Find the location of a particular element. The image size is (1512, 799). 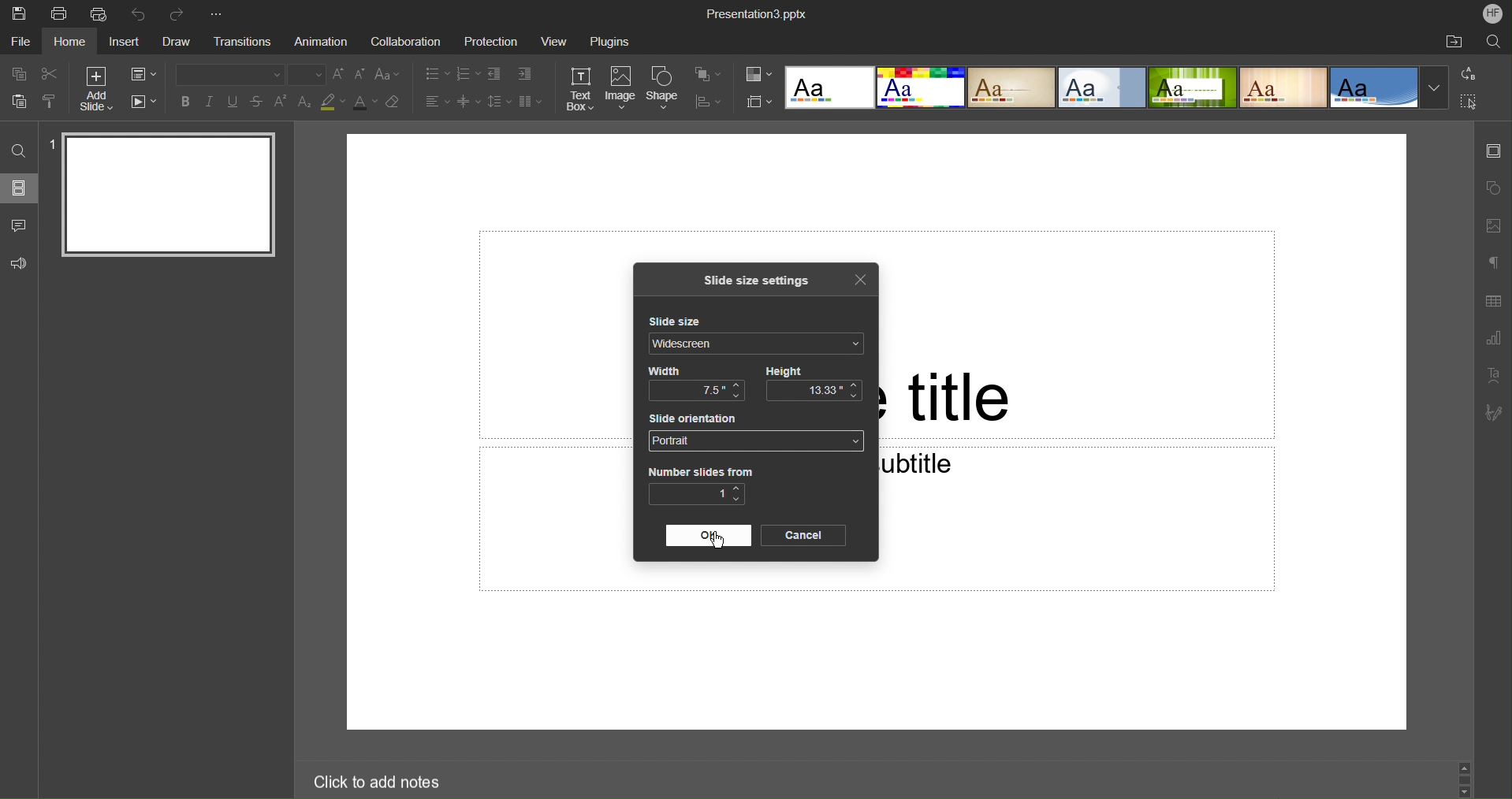

Account is located at coordinates (1493, 13).